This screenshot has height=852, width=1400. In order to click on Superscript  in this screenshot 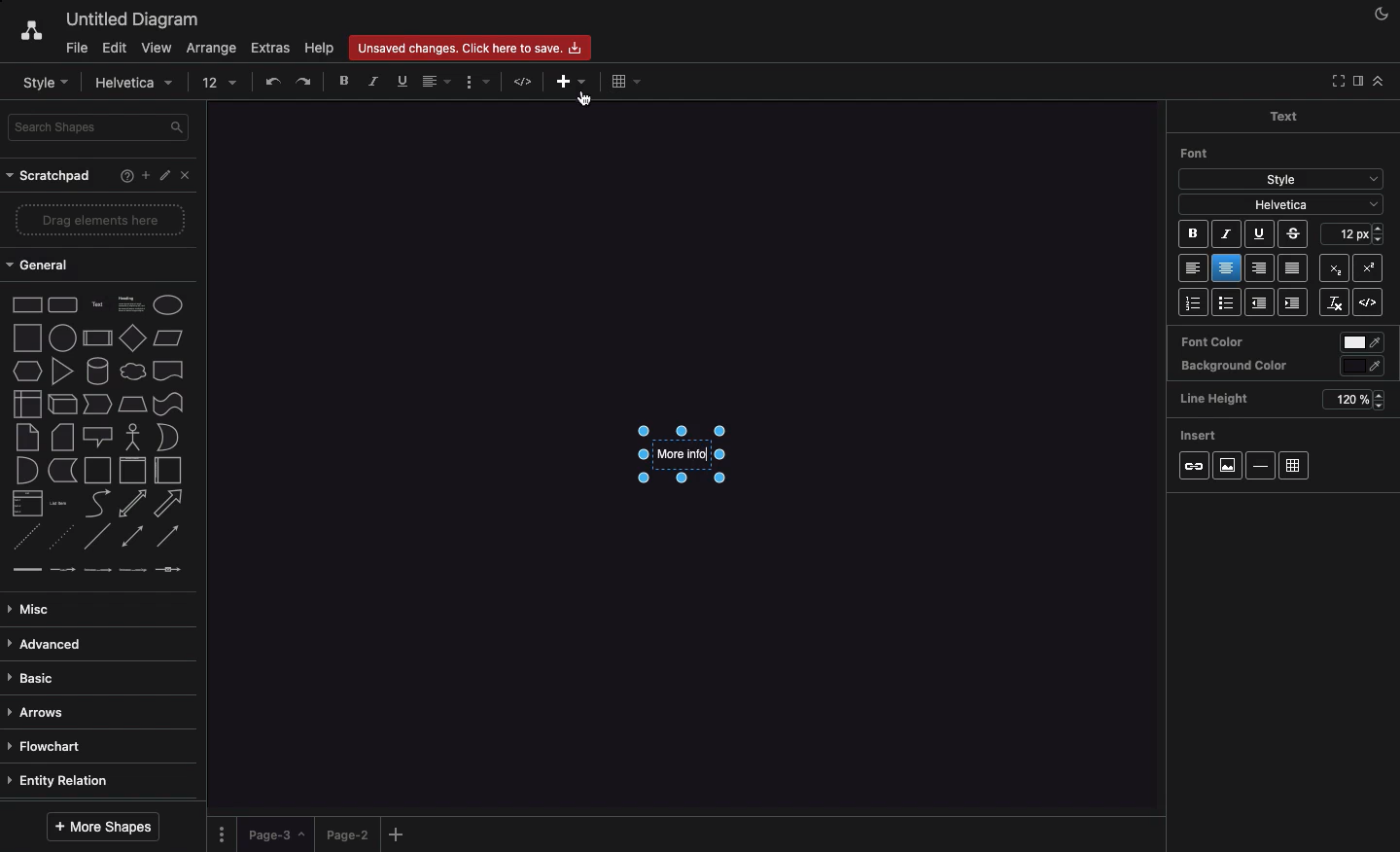, I will do `click(1333, 266)`.